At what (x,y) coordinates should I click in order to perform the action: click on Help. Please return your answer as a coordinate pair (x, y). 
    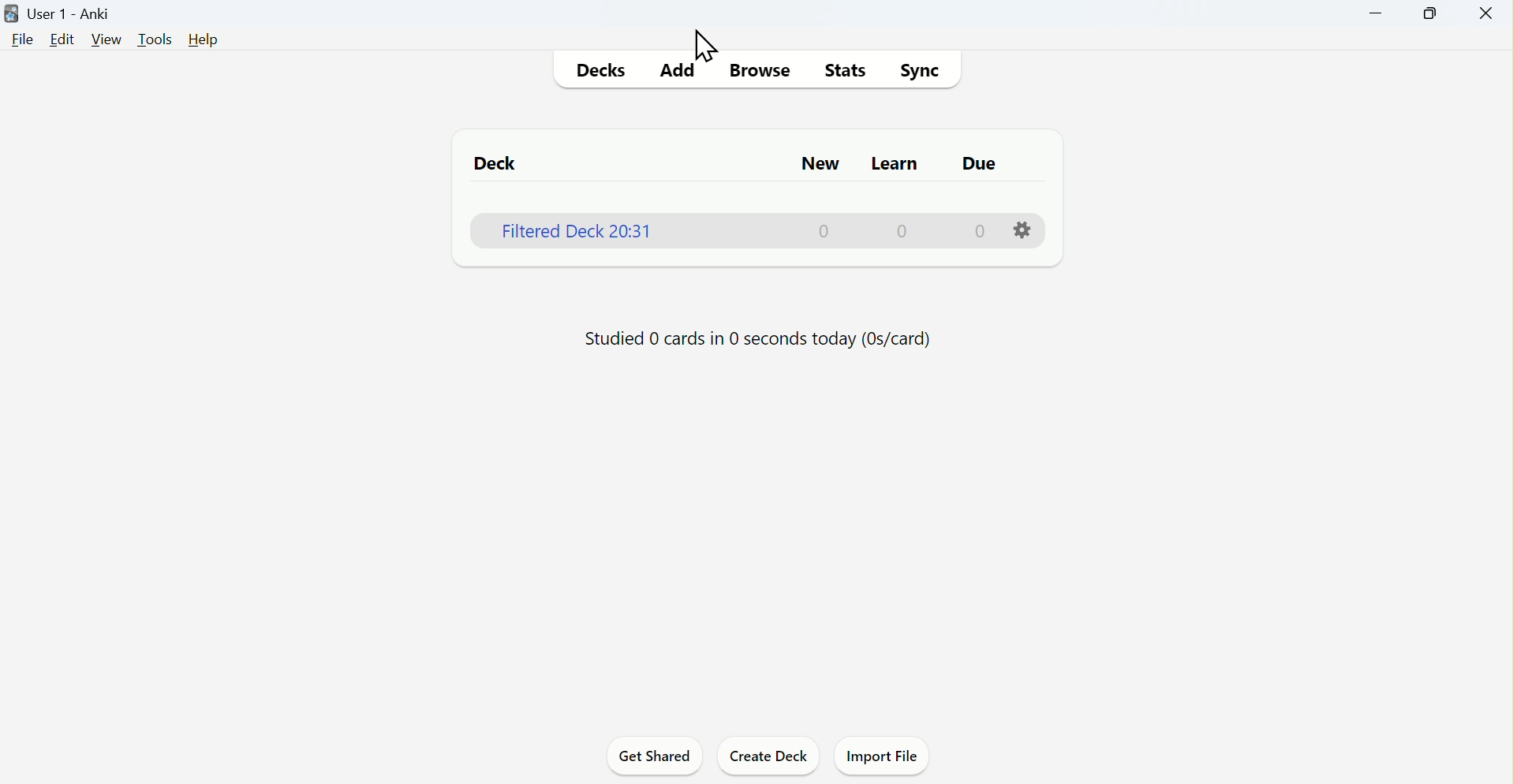
    Looking at the image, I should click on (208, 40).